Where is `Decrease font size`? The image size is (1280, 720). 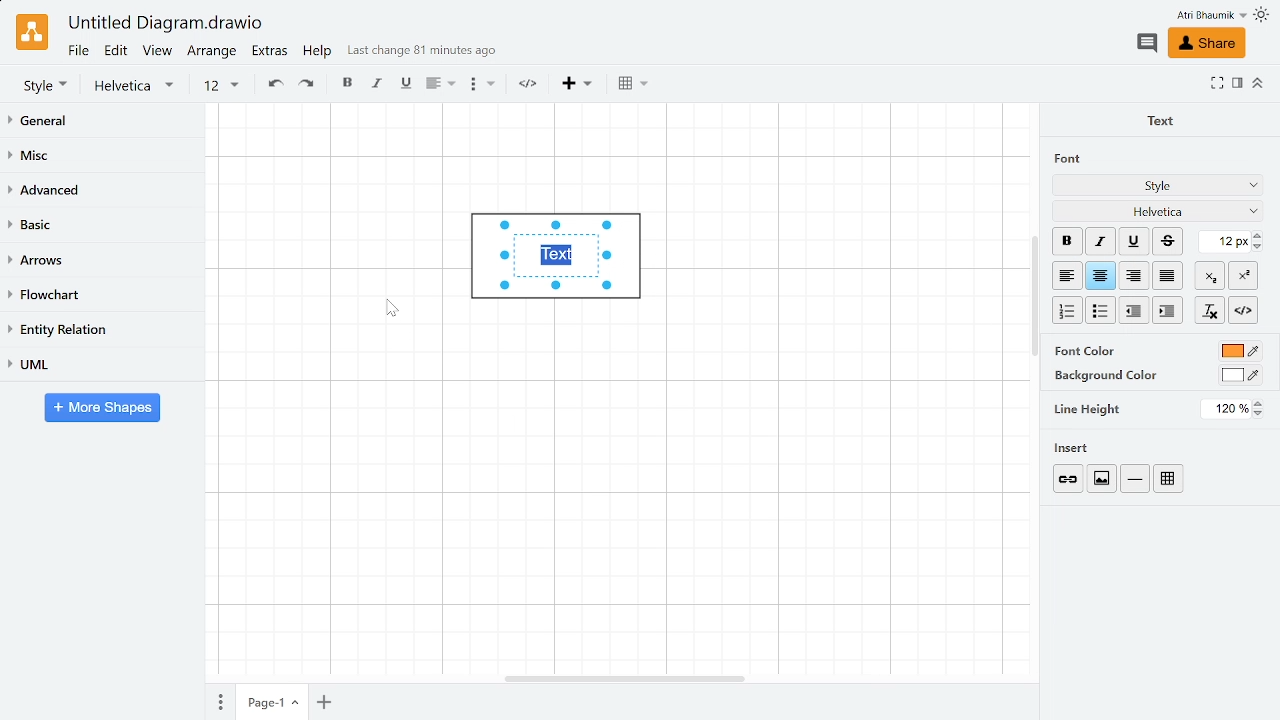
Decrease font size is located at coordinates (1259, 246).